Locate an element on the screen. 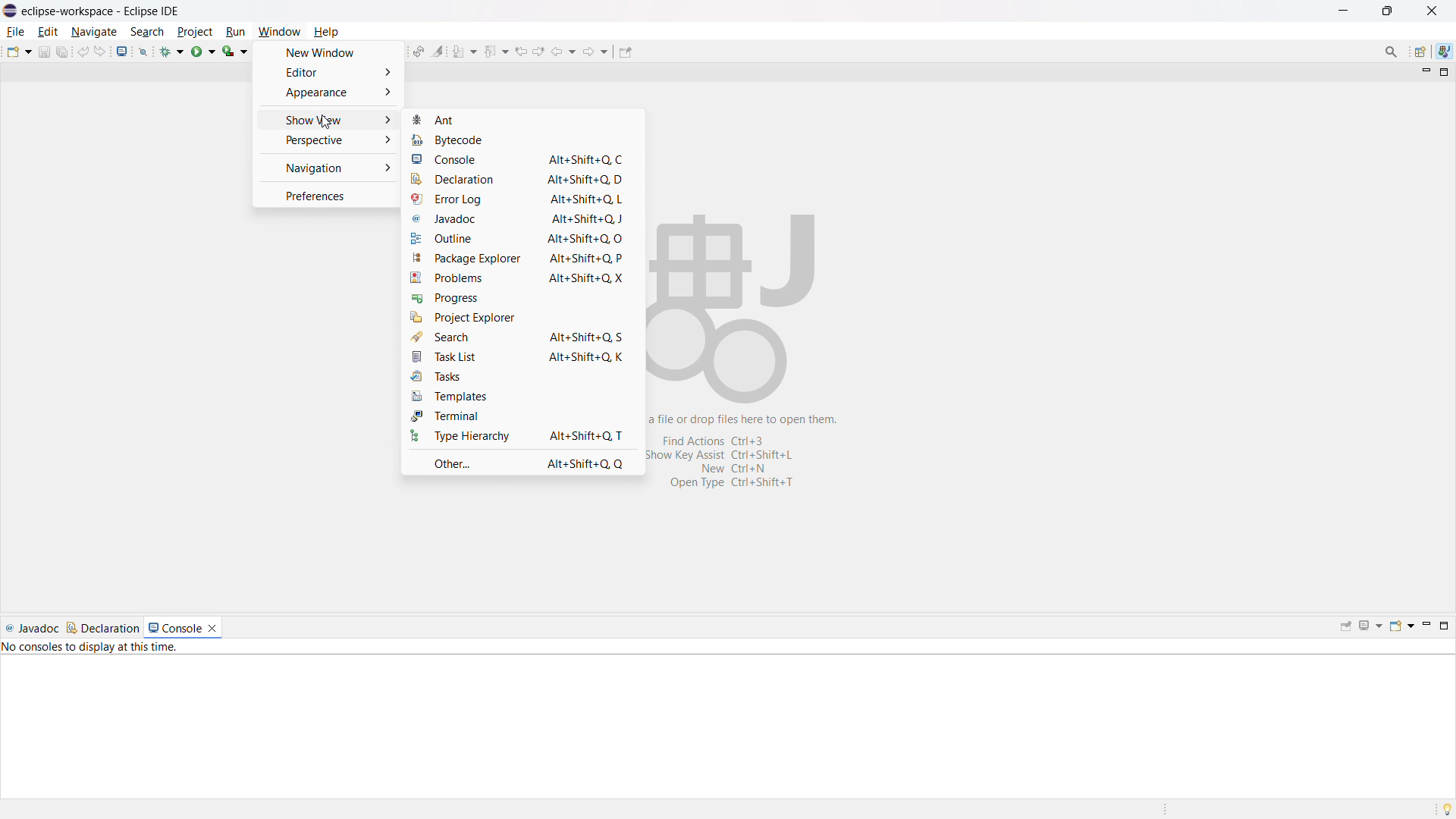 This screenshot has width=1456, height=819. back is located at coordinates (565, 50).